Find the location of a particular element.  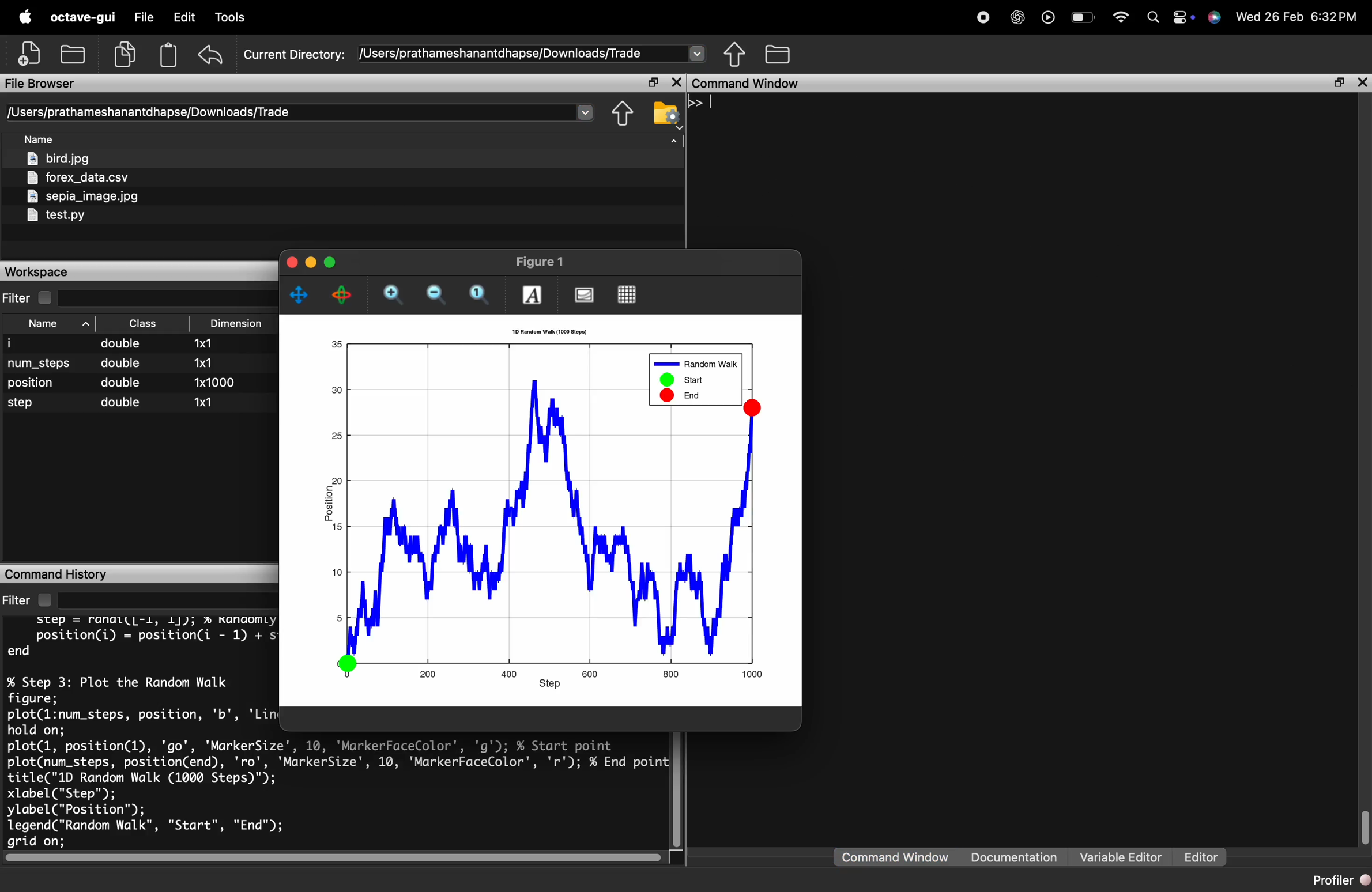

one directory up is located at coordinates (736, 54).